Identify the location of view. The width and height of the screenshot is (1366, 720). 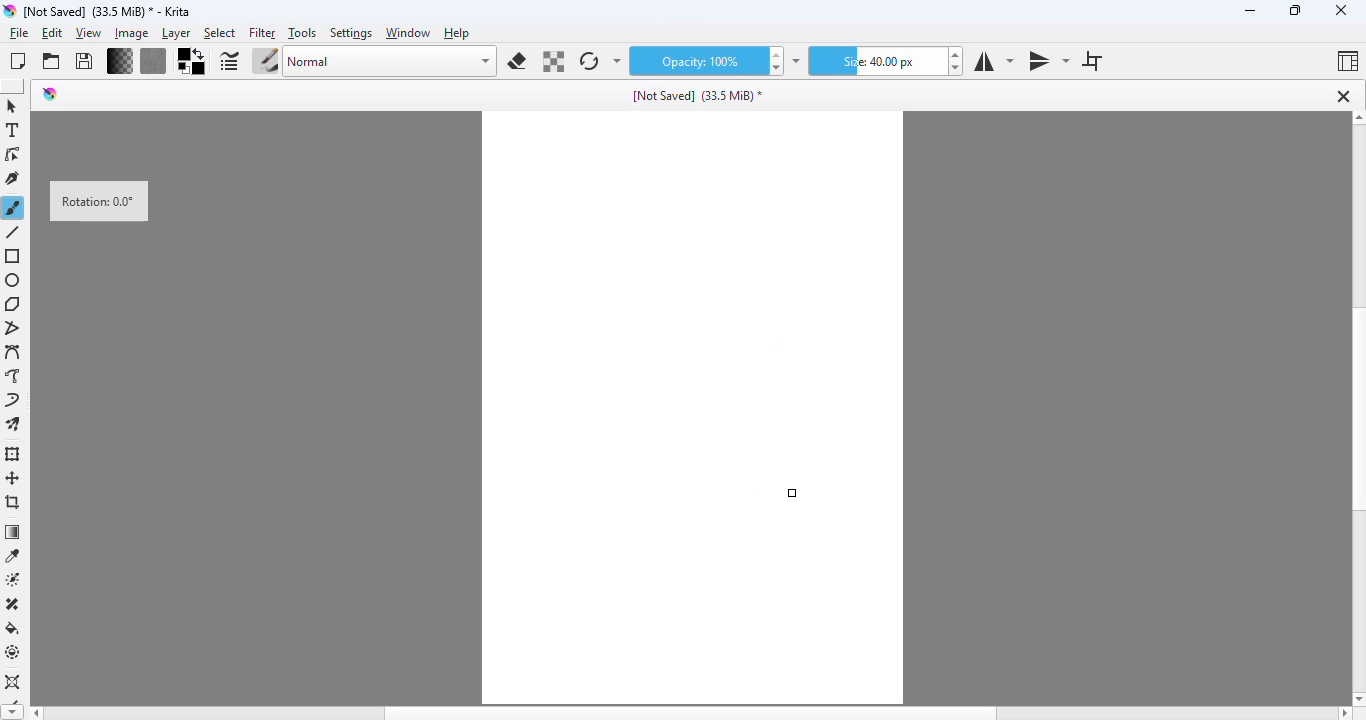
(89, 34).